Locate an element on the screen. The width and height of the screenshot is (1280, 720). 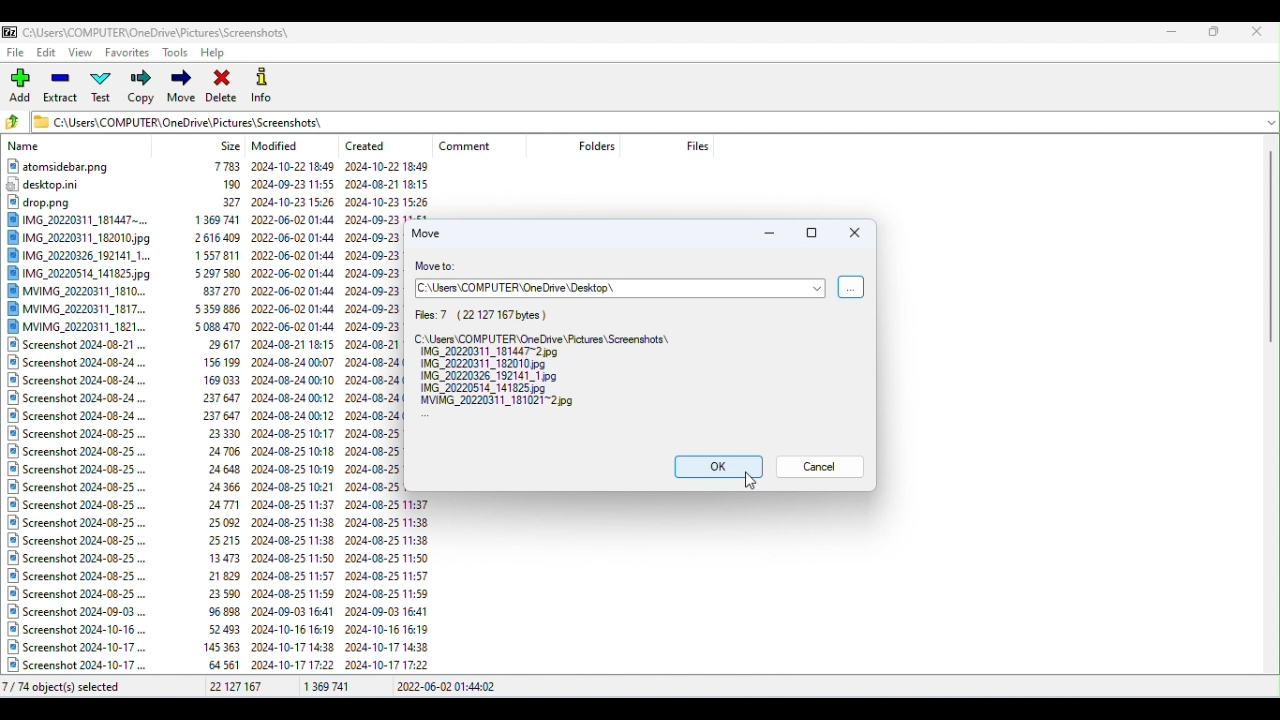
Favorites is located at coordinates (126, 55).